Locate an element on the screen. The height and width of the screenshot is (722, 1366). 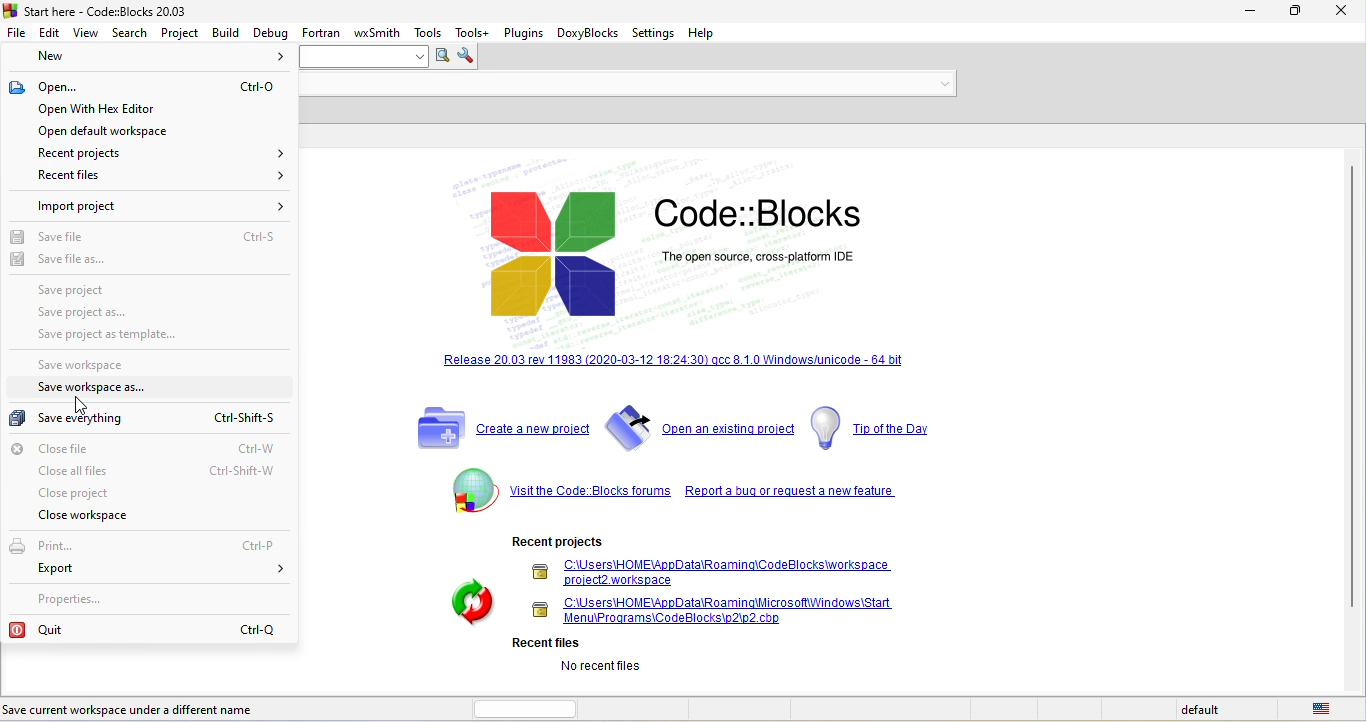
open is located at coordinates (146, 88).